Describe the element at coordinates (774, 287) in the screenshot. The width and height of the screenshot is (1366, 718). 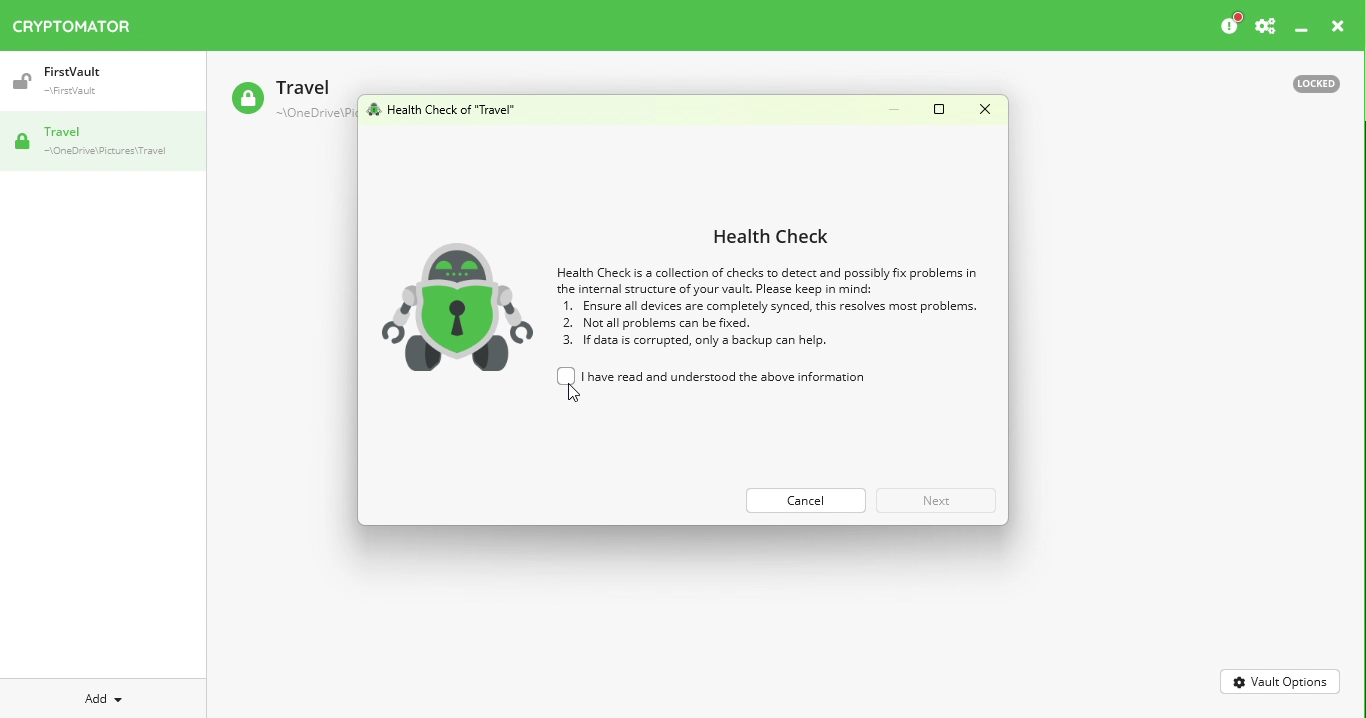
I see `Health check information` at that location.